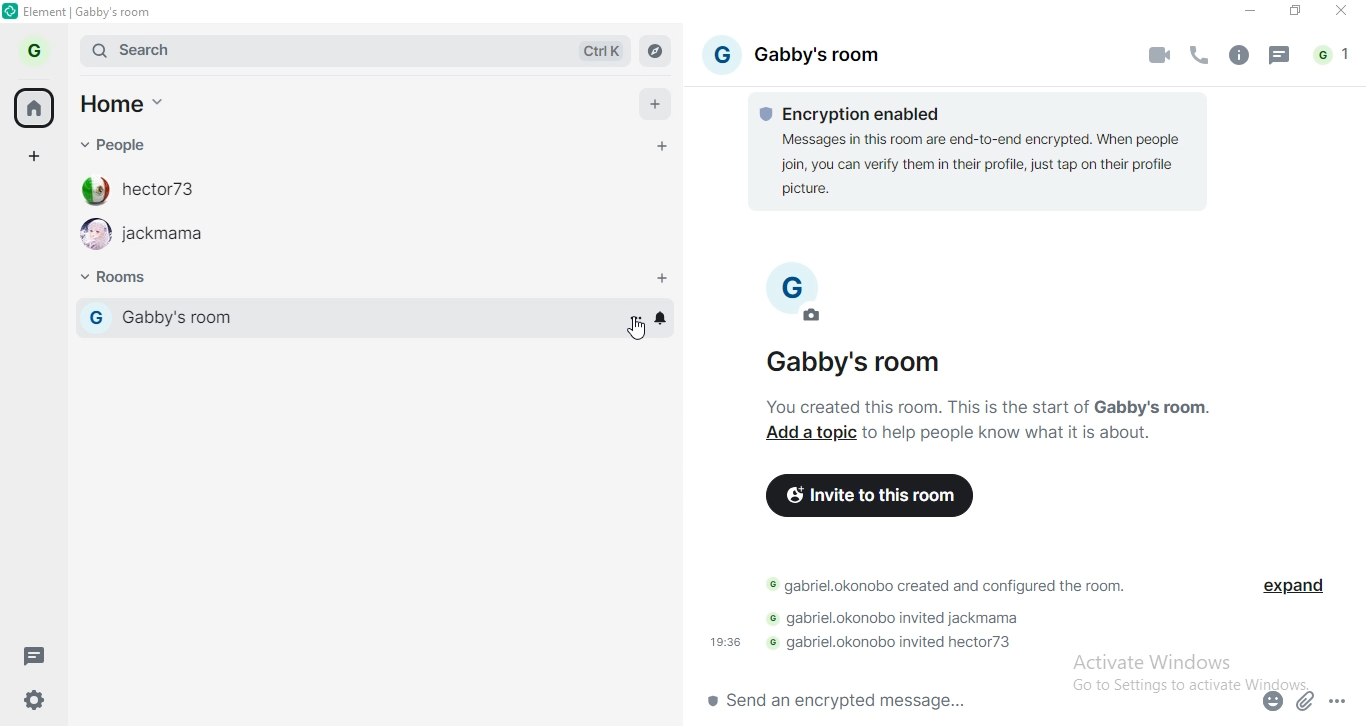 The width and height of the screenshot is (1366, 726). I want to click on rooms, so click(125, 280).